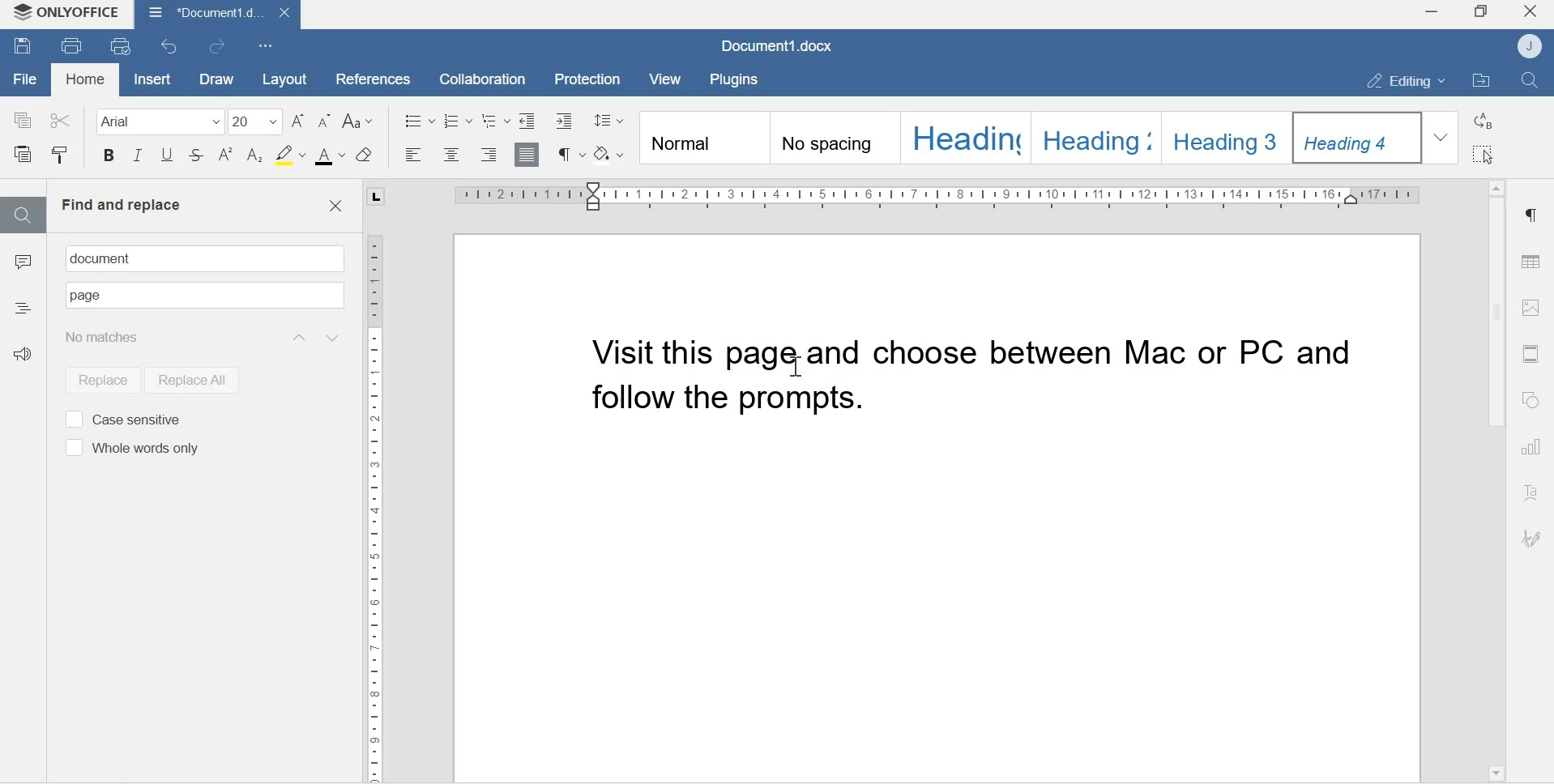 The width and height of the screenshot is (1554, 784). Describe the element at coordinates (527, 153) in the screenshot. I see `Justified` at that location.